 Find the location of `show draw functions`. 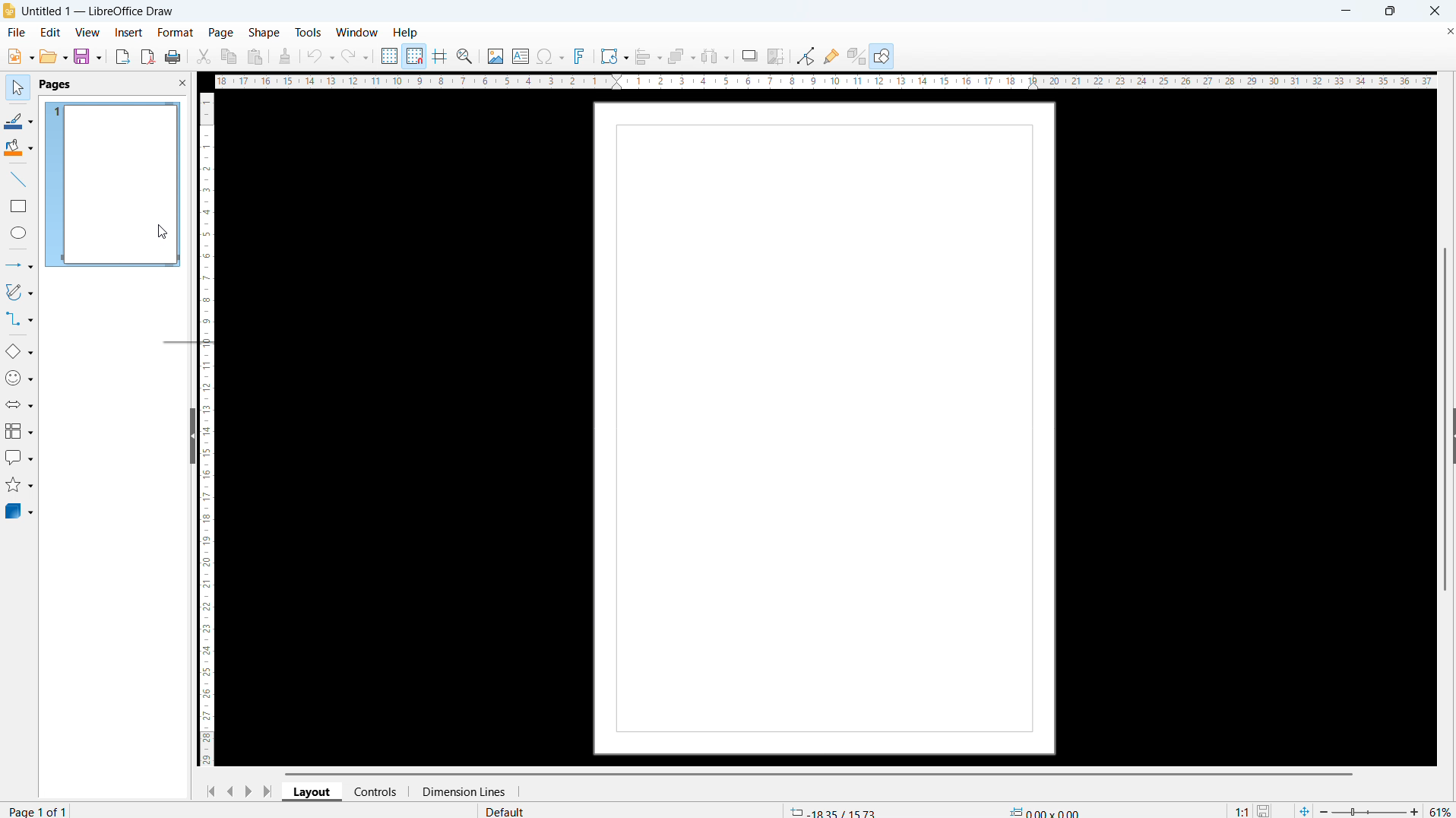

show draw functions is located at coordinates (883, 56).